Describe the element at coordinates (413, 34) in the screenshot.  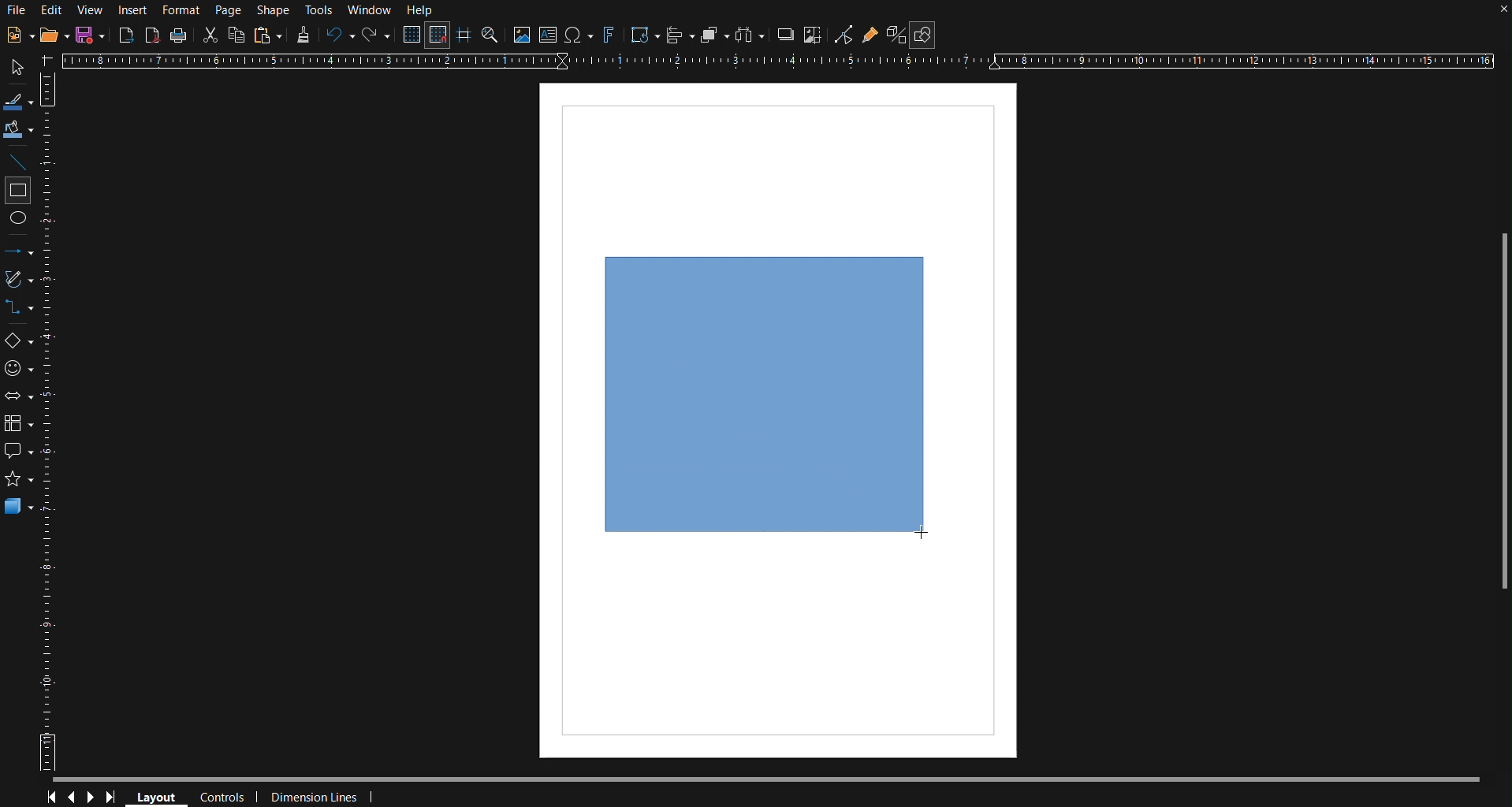
I see `Display Grid` at that location.